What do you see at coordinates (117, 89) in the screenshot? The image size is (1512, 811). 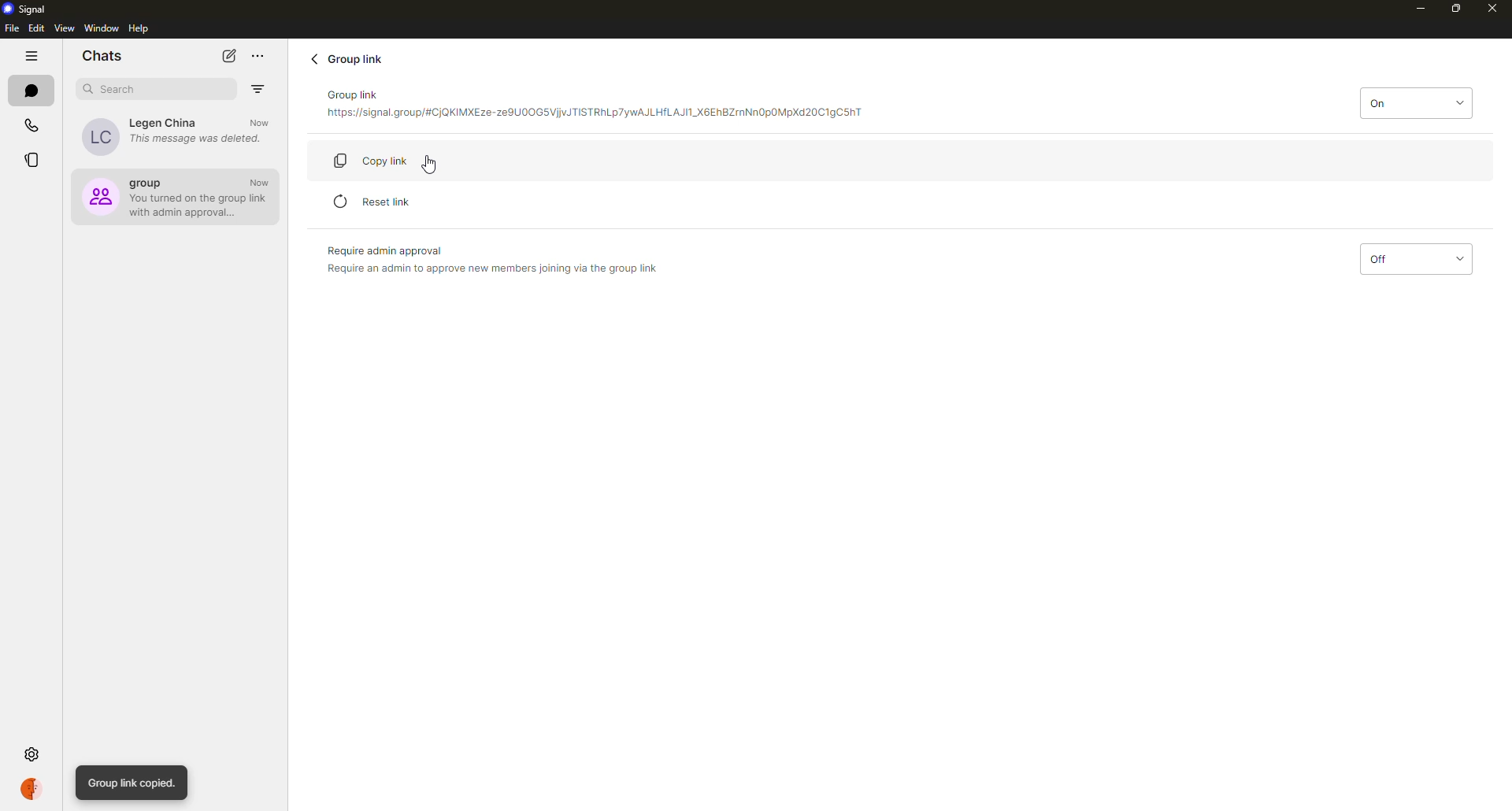 I see `search` at bounding box center [117, 89].